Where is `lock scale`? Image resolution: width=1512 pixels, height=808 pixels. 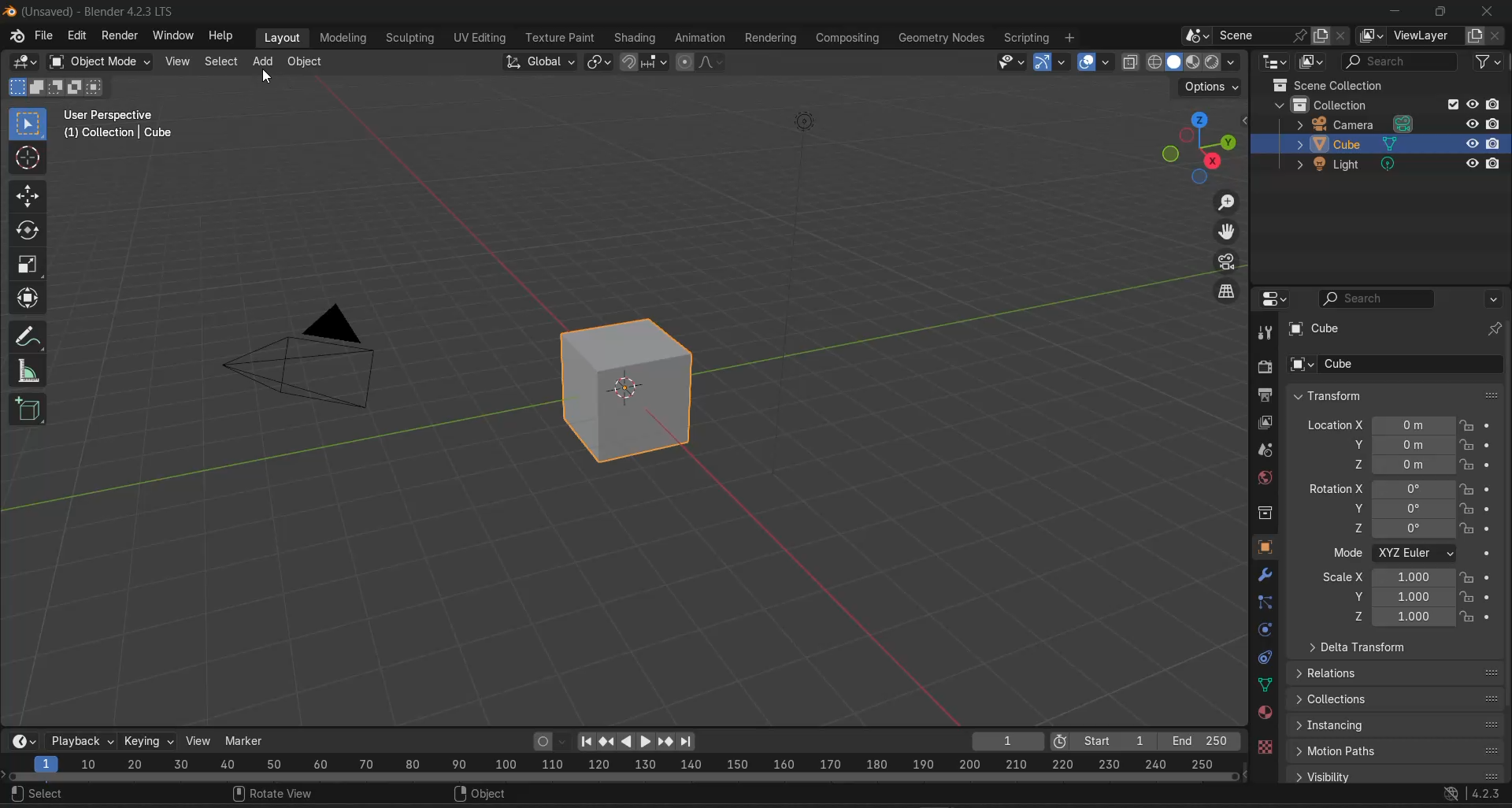
lock scale is located at coordinates (1468, 617).